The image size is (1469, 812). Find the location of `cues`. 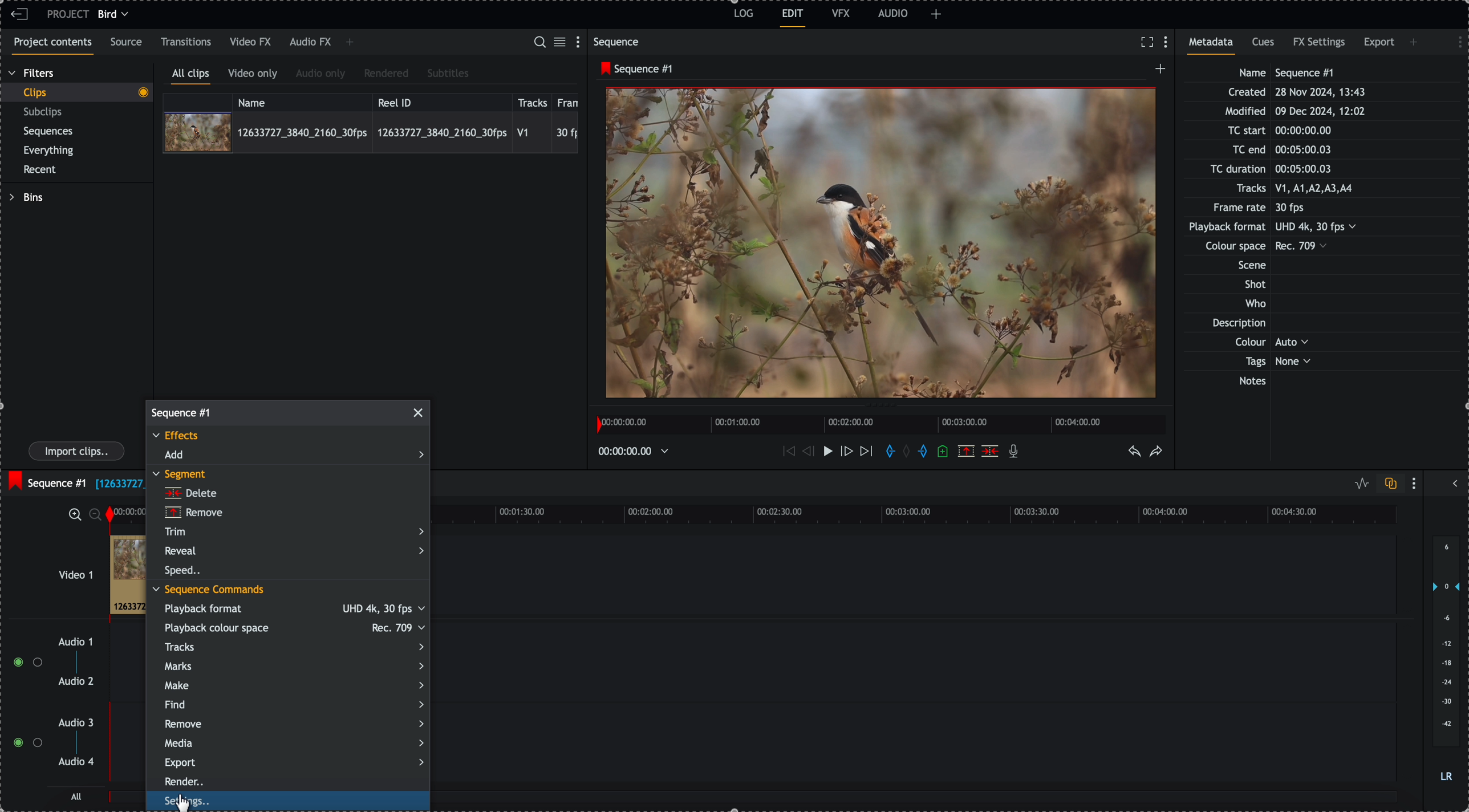

cues is located at coordinates (1264, 46).